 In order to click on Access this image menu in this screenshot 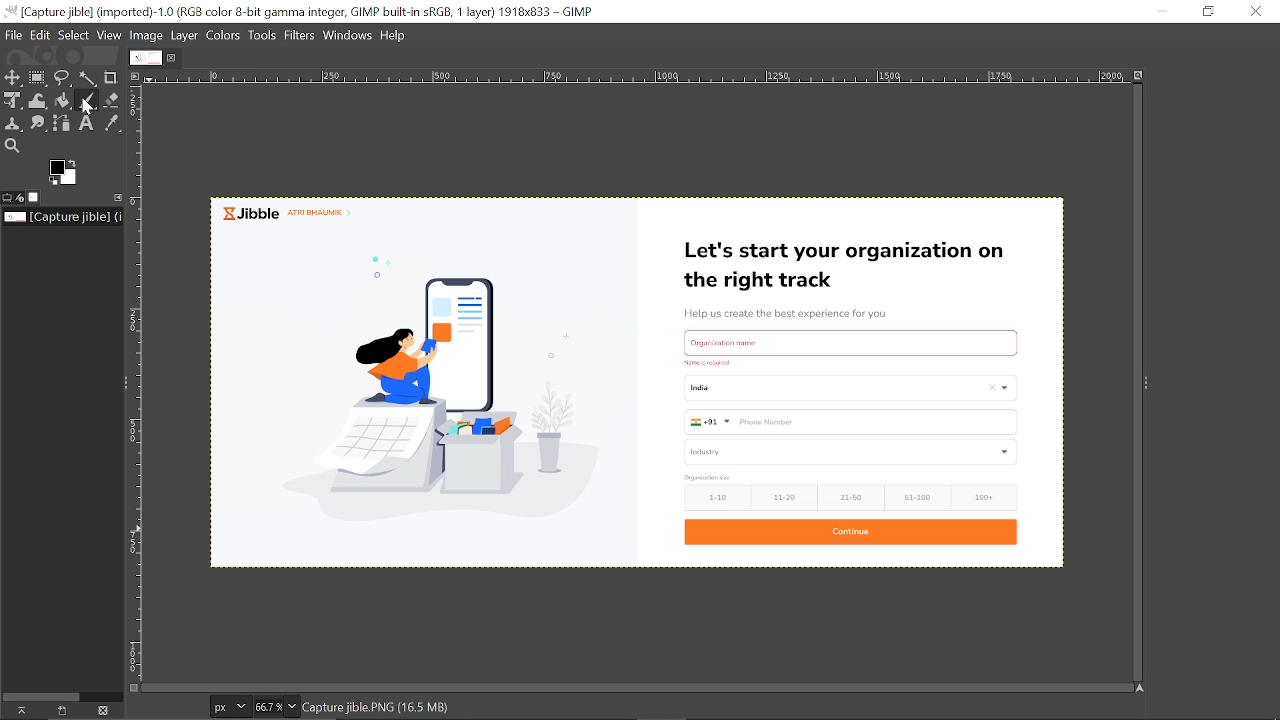, I will do `click(138, 75)`.